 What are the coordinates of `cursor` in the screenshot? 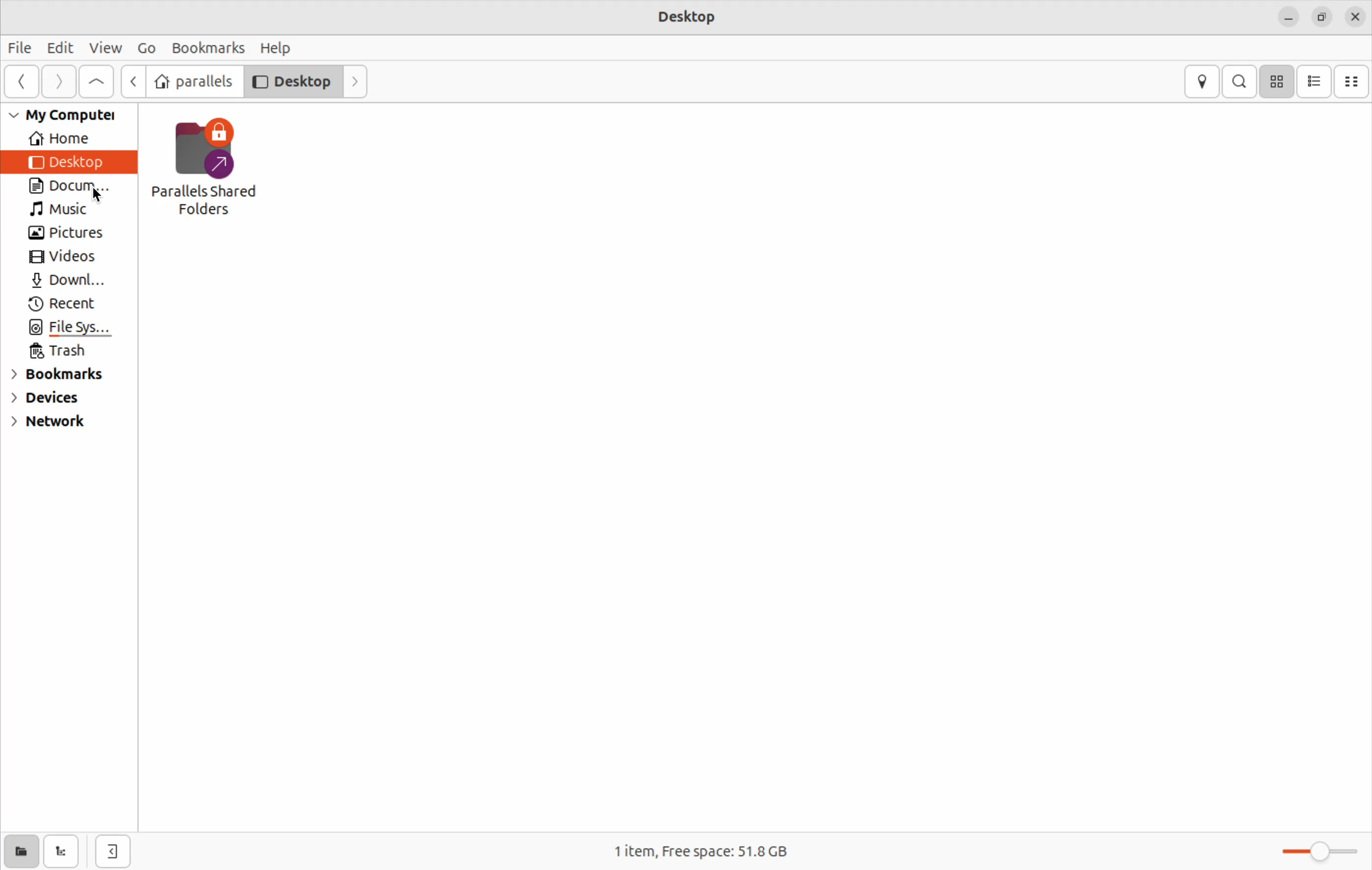 It's located at (99, 197).